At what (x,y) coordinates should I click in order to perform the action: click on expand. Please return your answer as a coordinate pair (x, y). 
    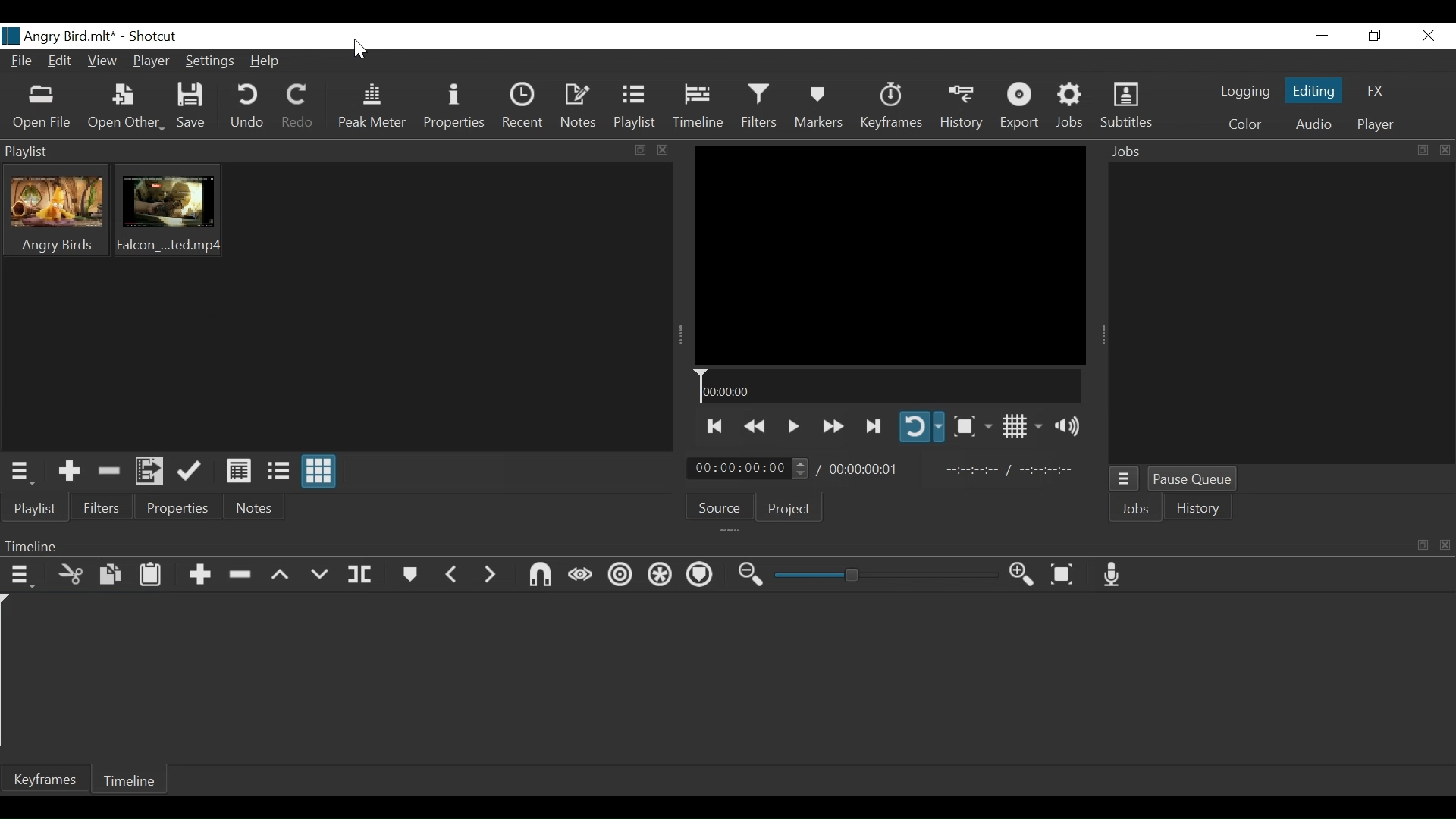
    Looking at the image, I should click on (1423, 150).